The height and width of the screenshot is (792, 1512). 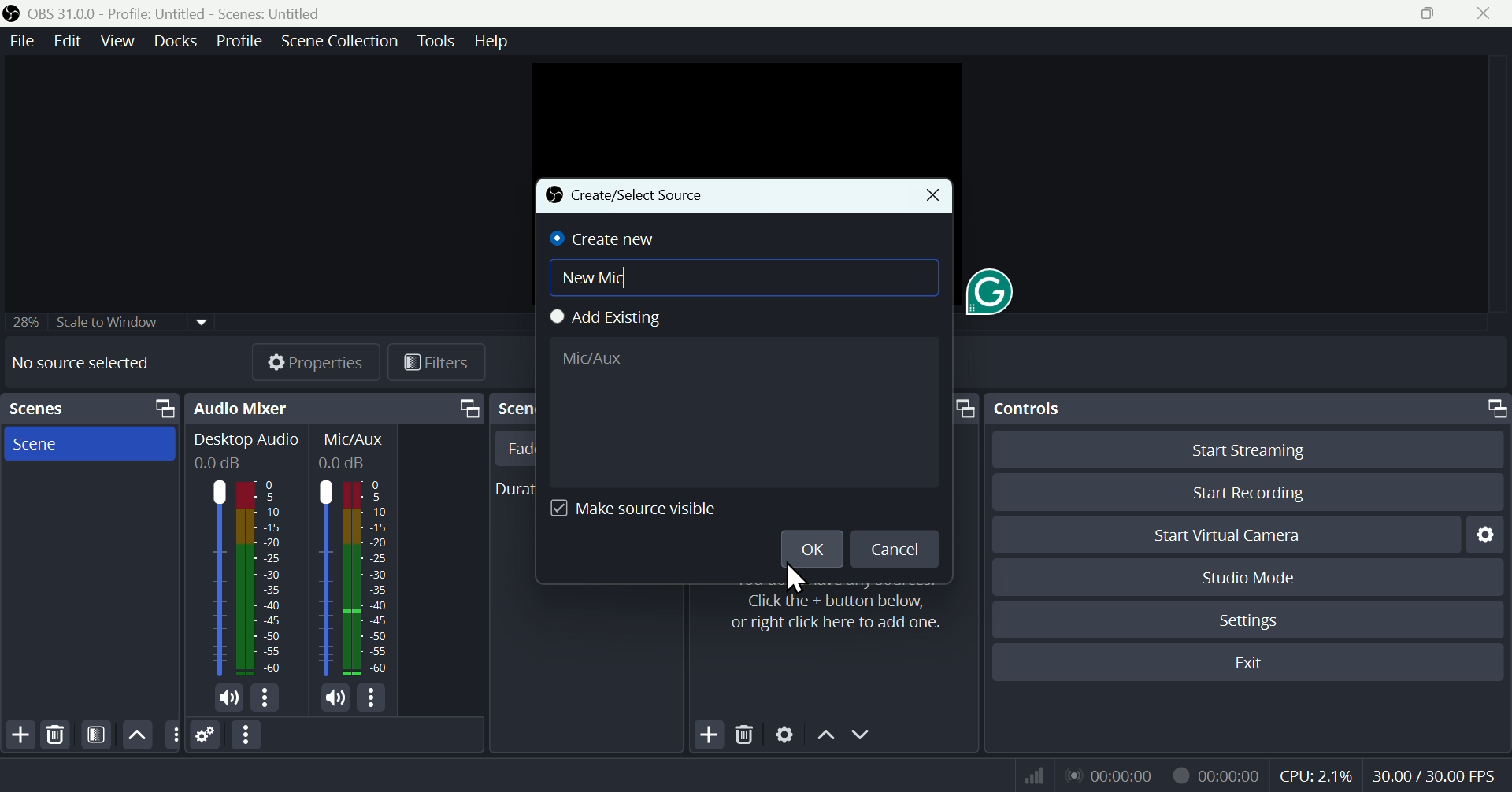 I want to click on (un)check Make source visible, so click(x=643, y=509).